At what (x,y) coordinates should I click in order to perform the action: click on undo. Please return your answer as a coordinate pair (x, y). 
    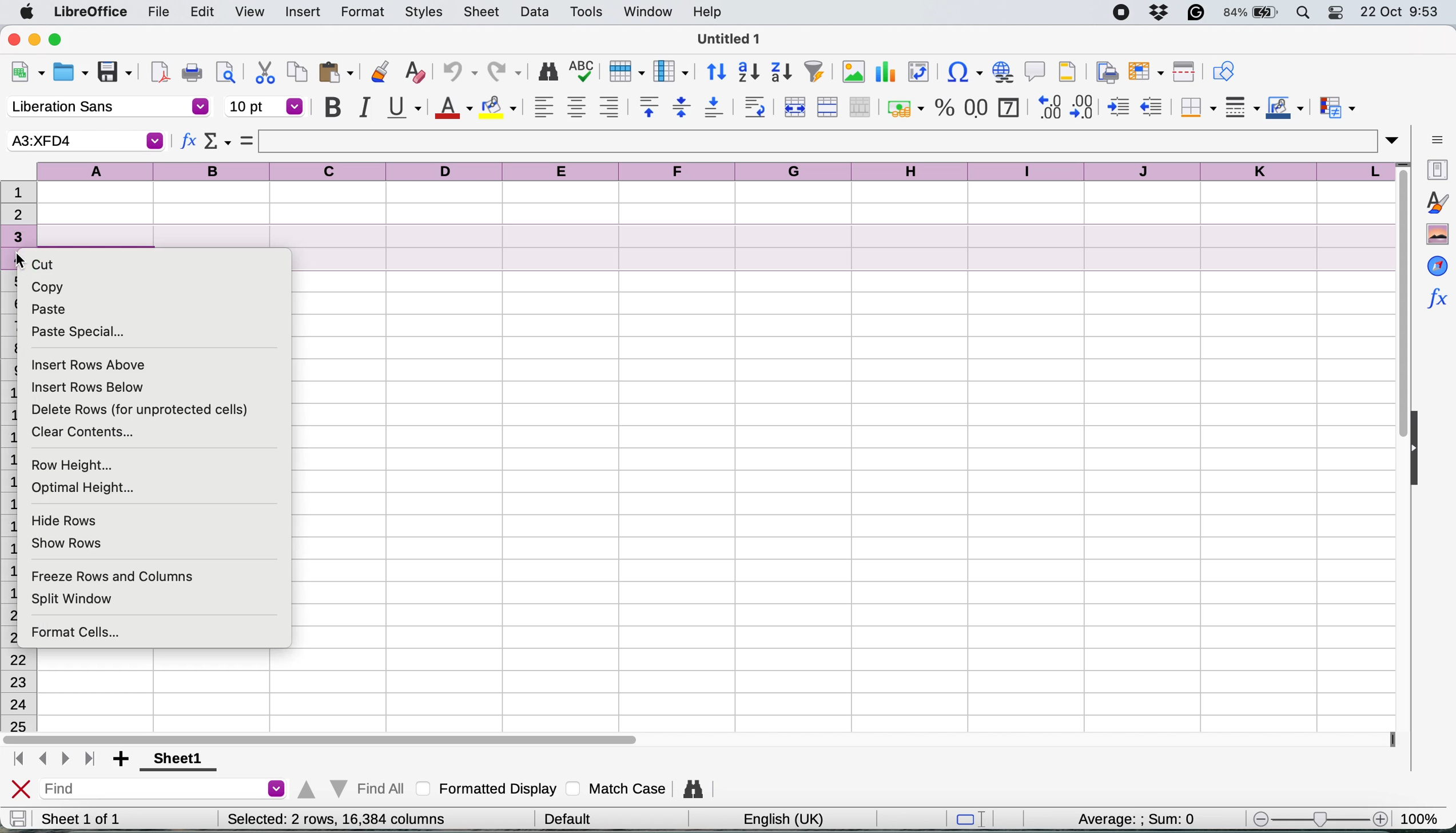
    Looking at the image, I should click on (455, 73).